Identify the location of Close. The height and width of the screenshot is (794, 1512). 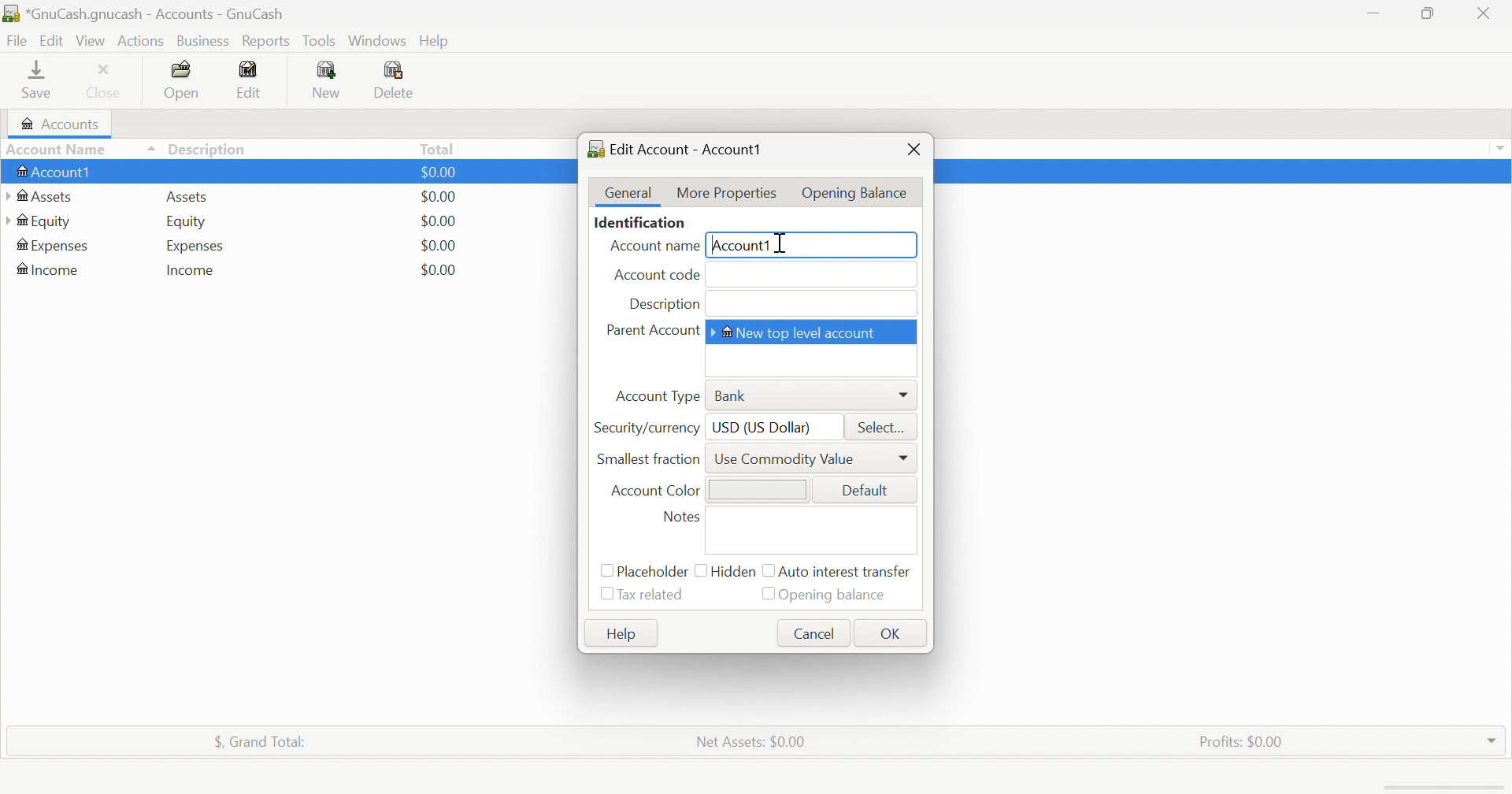
(1481, 13).